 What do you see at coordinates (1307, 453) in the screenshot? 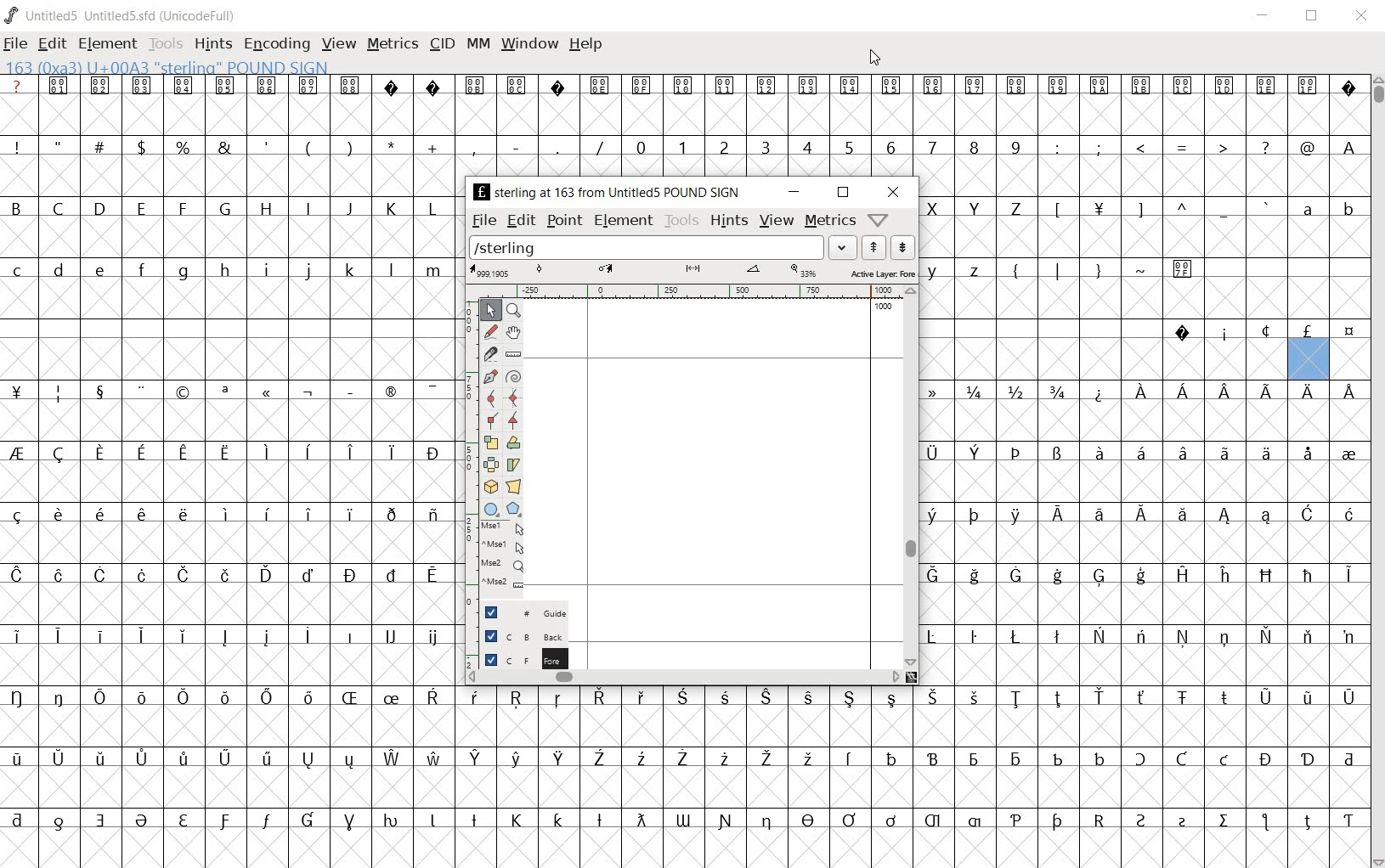
I see `Symbol` at bounding box center [1307, 453].